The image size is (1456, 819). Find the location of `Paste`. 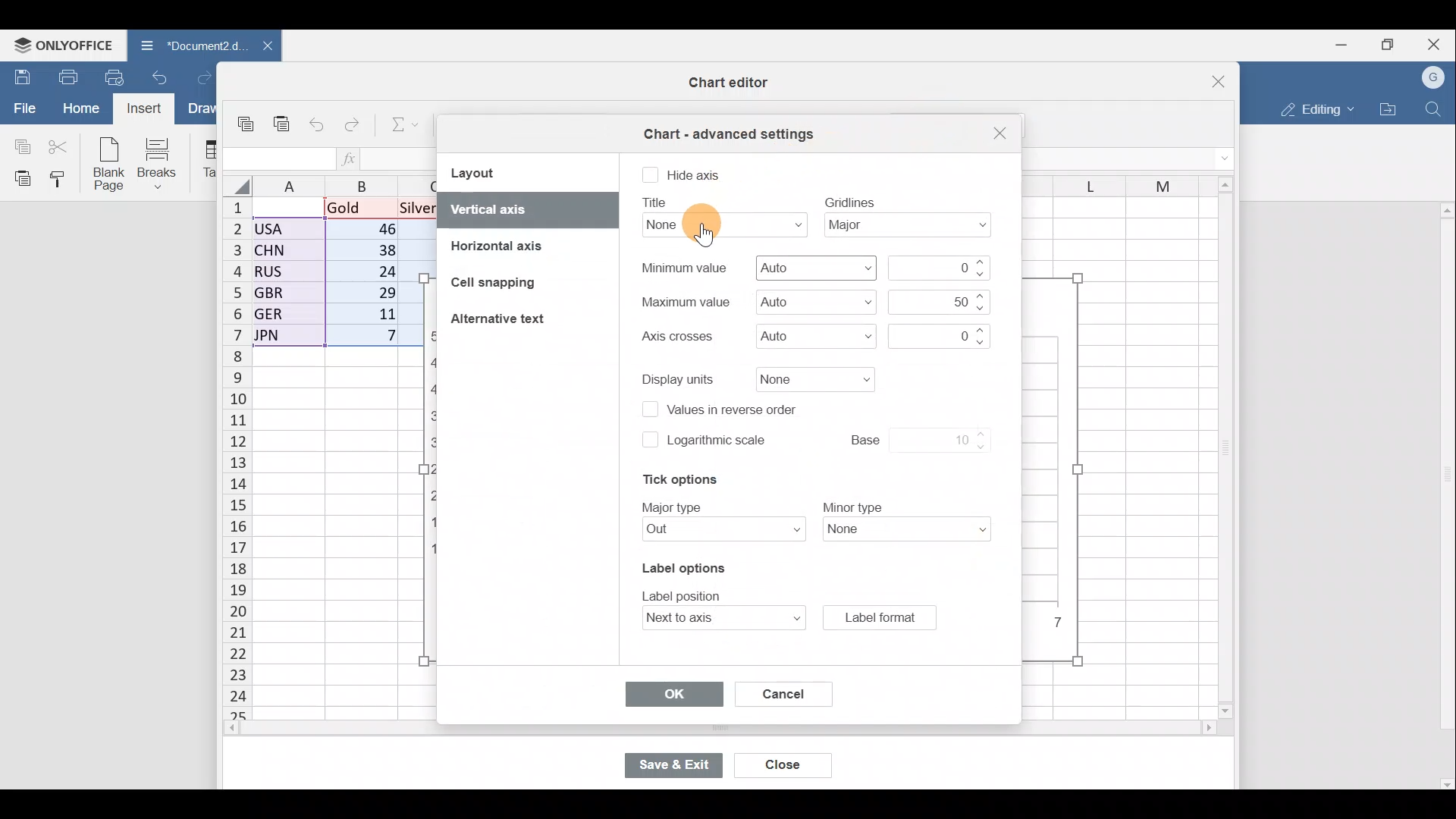

Paste is located at coordinates (285, 121).